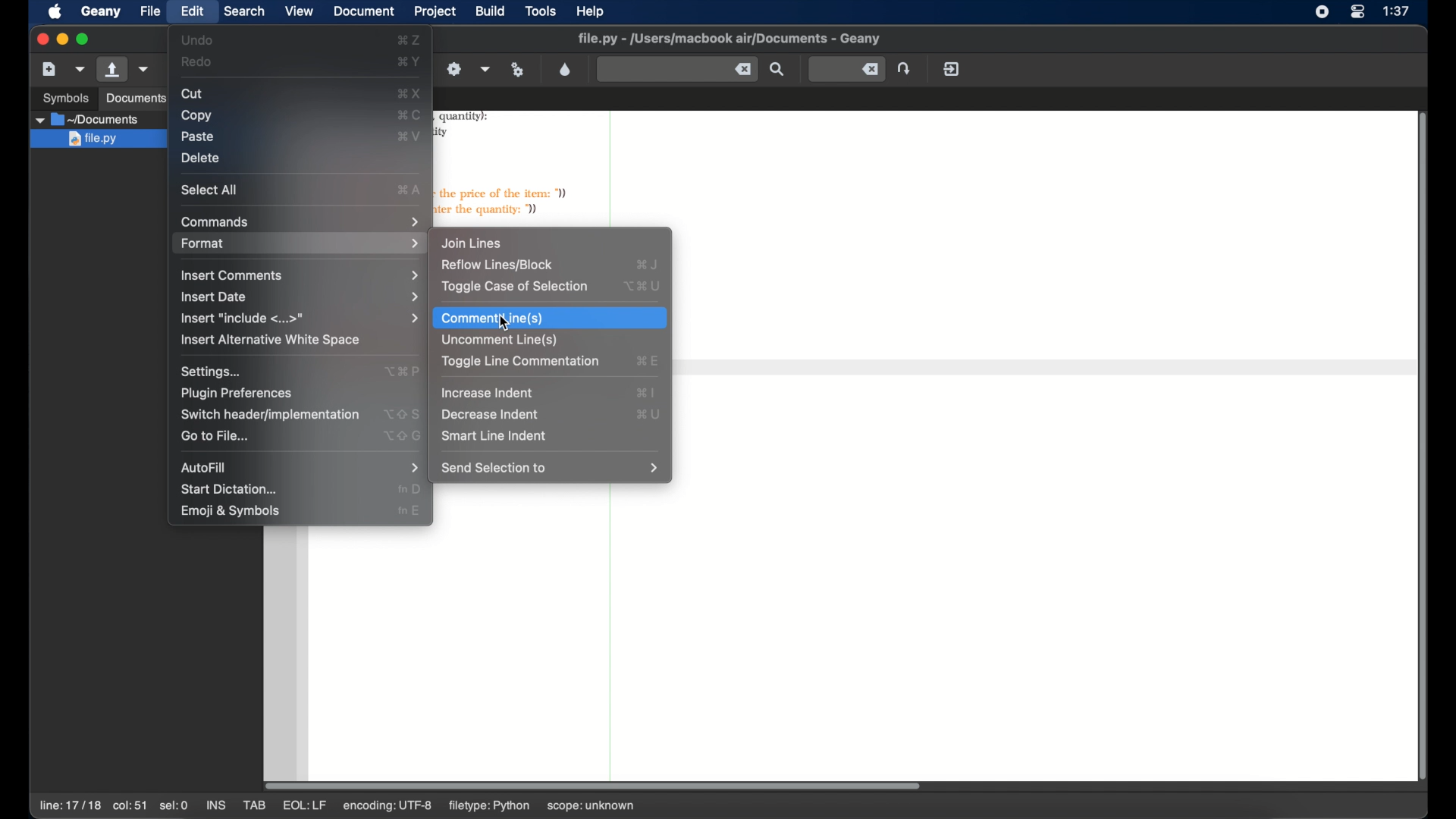  Describe the element at coordinates (1357, 12) in the screenshot. I see `control center` at that location.